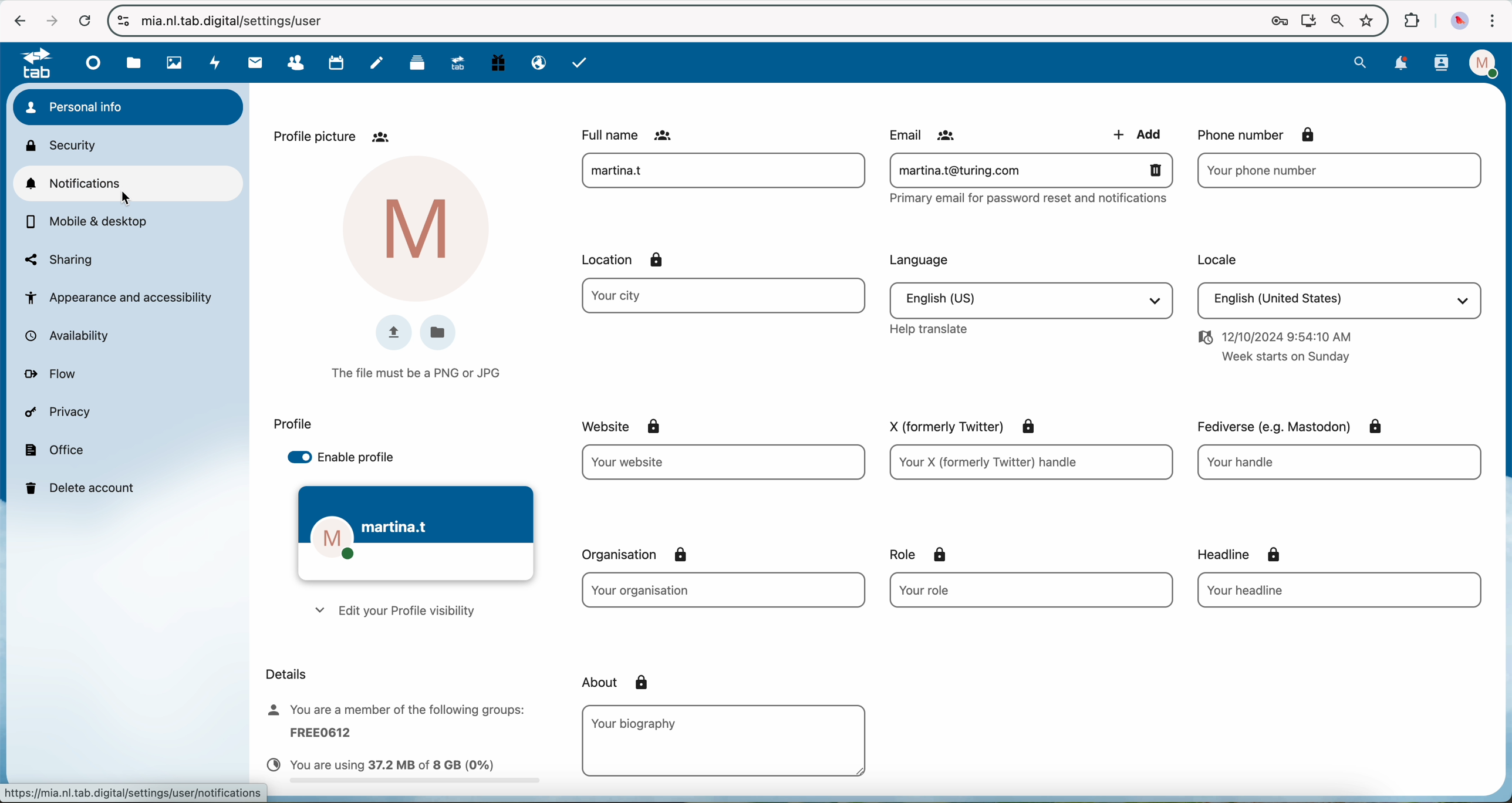 The height and width of the screenshot is (803, 1512). I want to click on cursor, so click(126, 197).